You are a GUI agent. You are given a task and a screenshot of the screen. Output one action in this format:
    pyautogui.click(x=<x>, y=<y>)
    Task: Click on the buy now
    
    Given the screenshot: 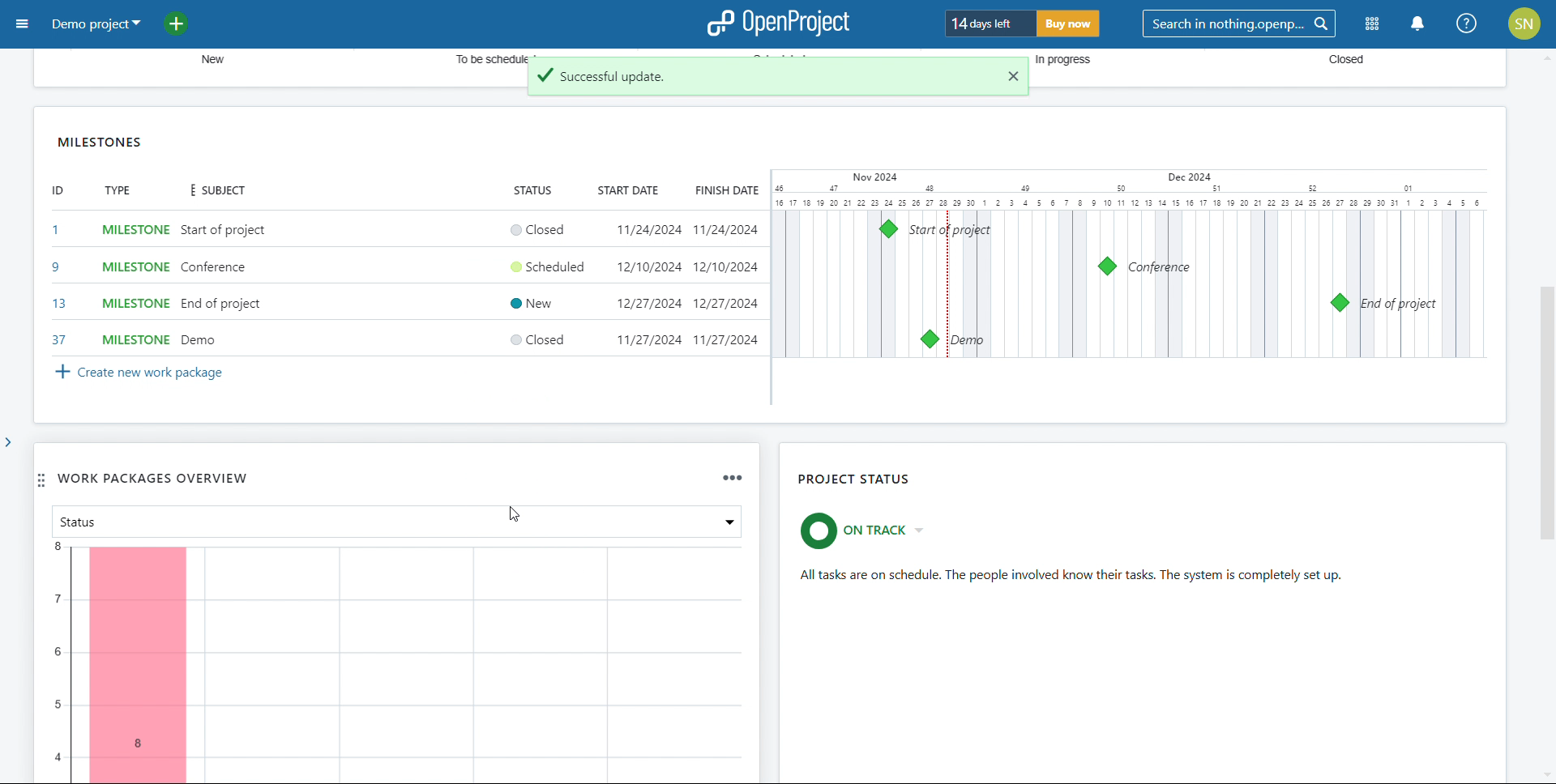 What is the action you would take?
    pyautogui.click(x=1069, y=24)
    